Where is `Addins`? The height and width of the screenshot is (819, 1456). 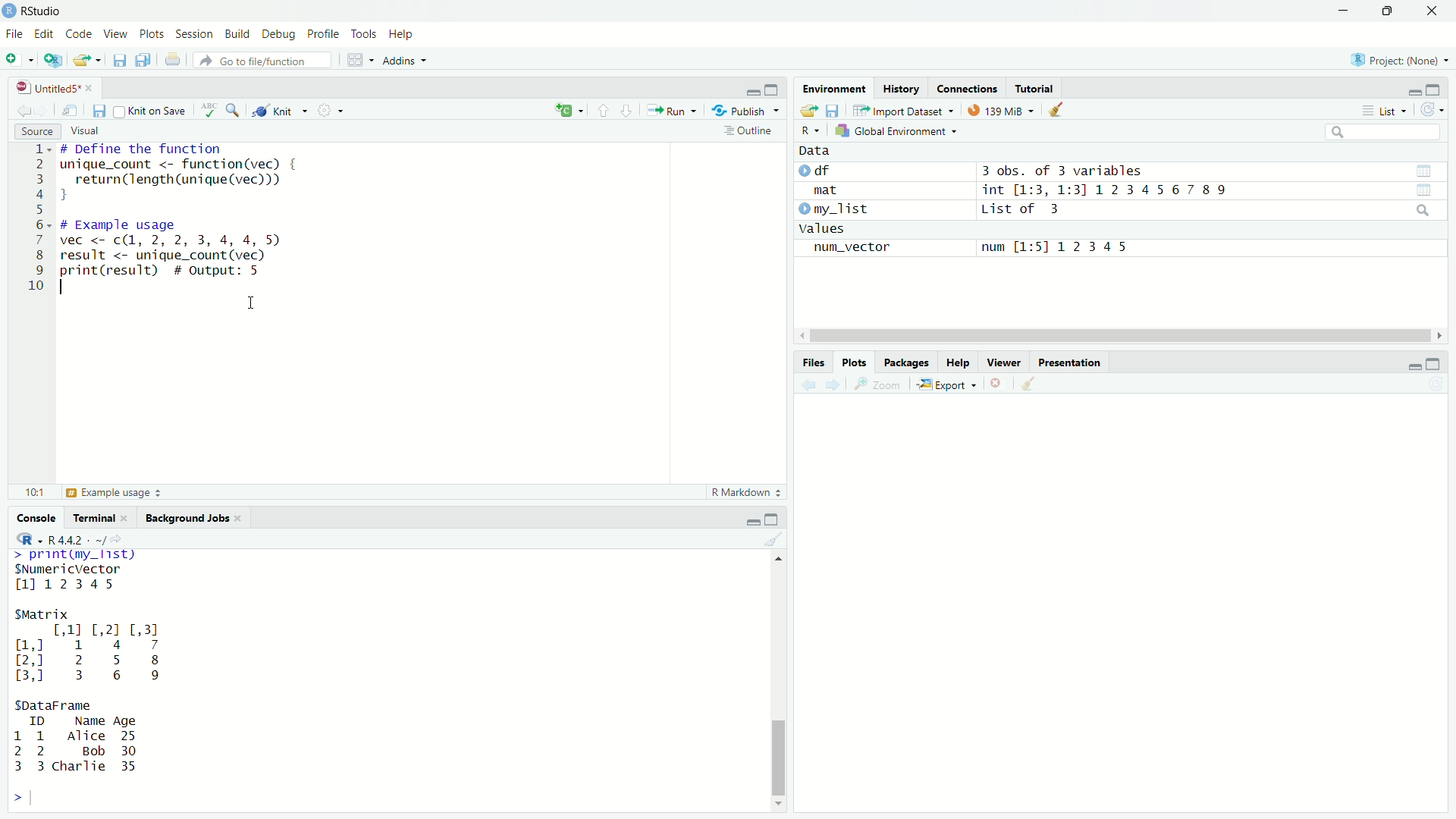
Addins is located at coordinates (403, 61).